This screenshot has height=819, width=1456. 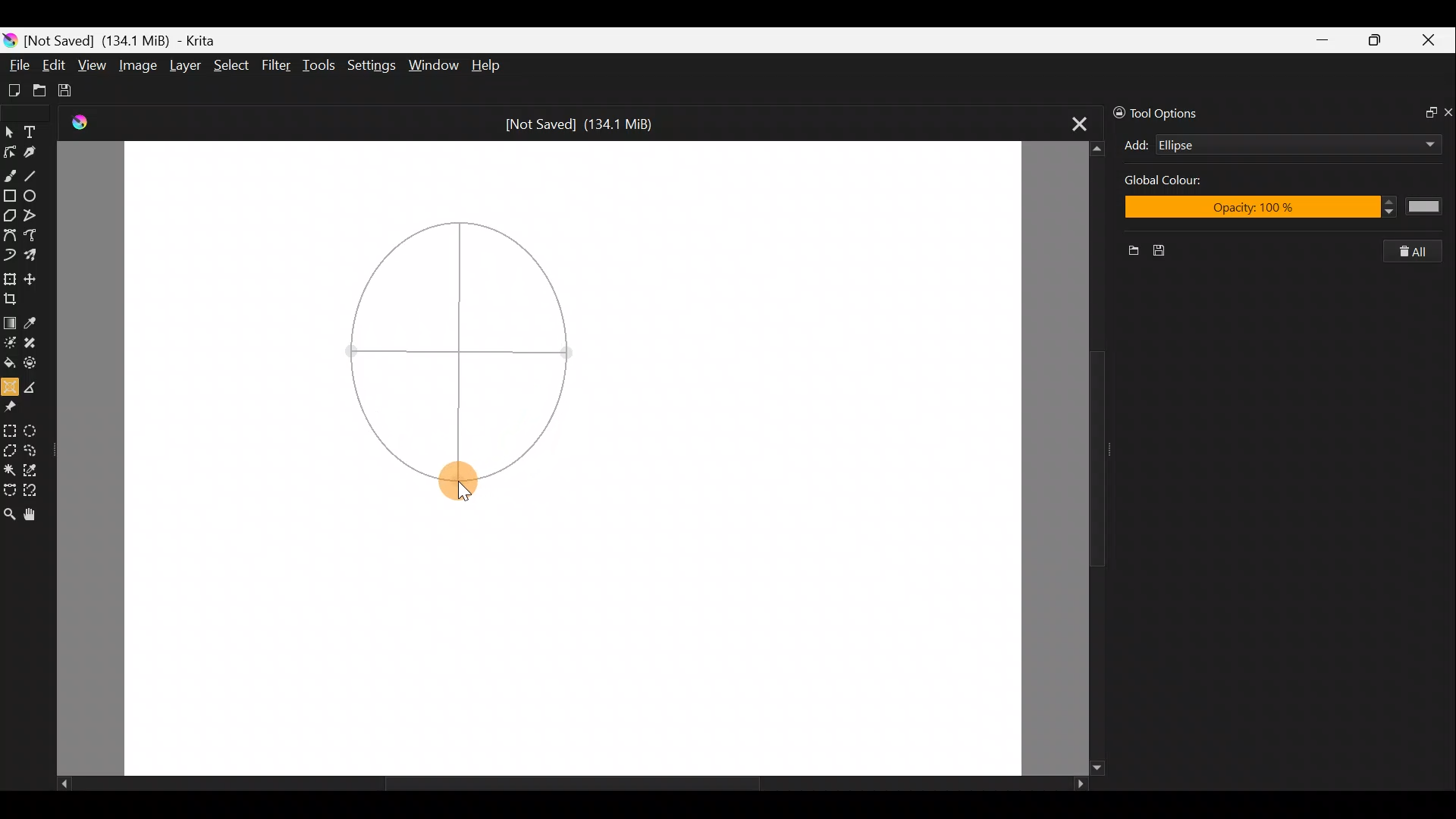 What do you see at coordinates (31, 236) in the screenshot?
I see `Freehand path tool` at bounding box center [31, 236].